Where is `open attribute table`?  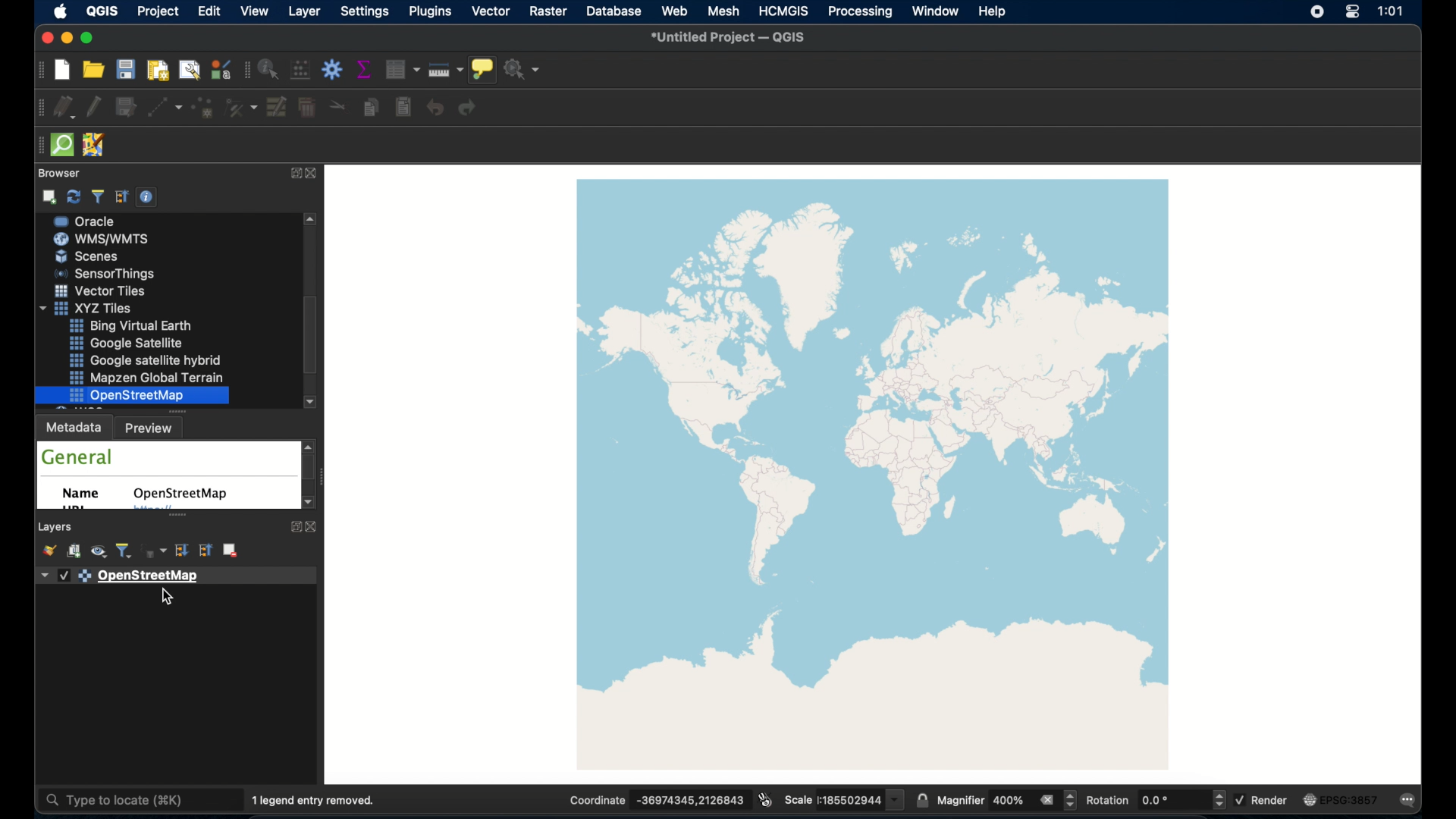 open attribute table is located at coordinates (401, 68).